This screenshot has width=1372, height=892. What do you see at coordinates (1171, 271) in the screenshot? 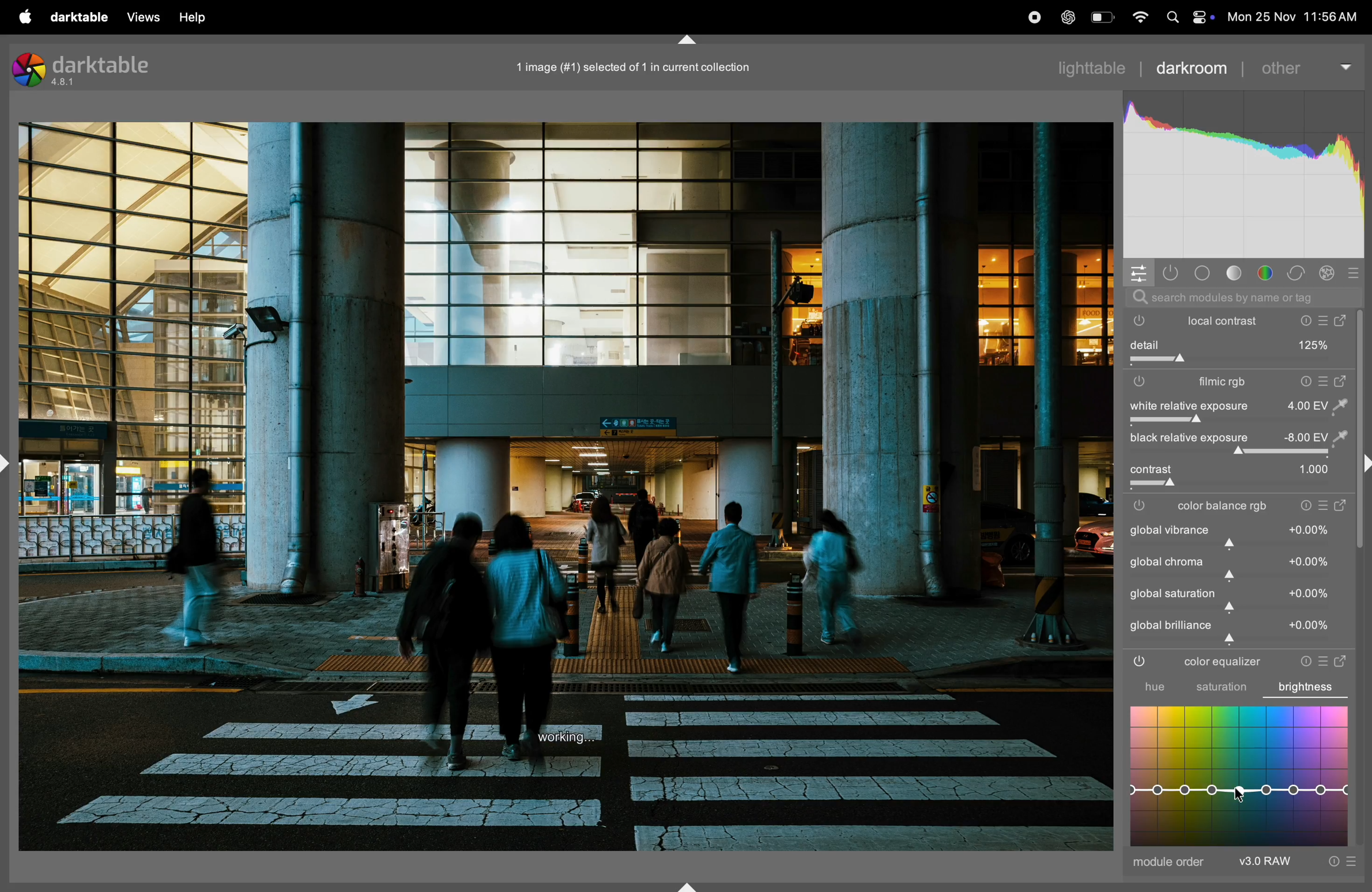
I see `show active modules` at bounding box center [1171, 271].